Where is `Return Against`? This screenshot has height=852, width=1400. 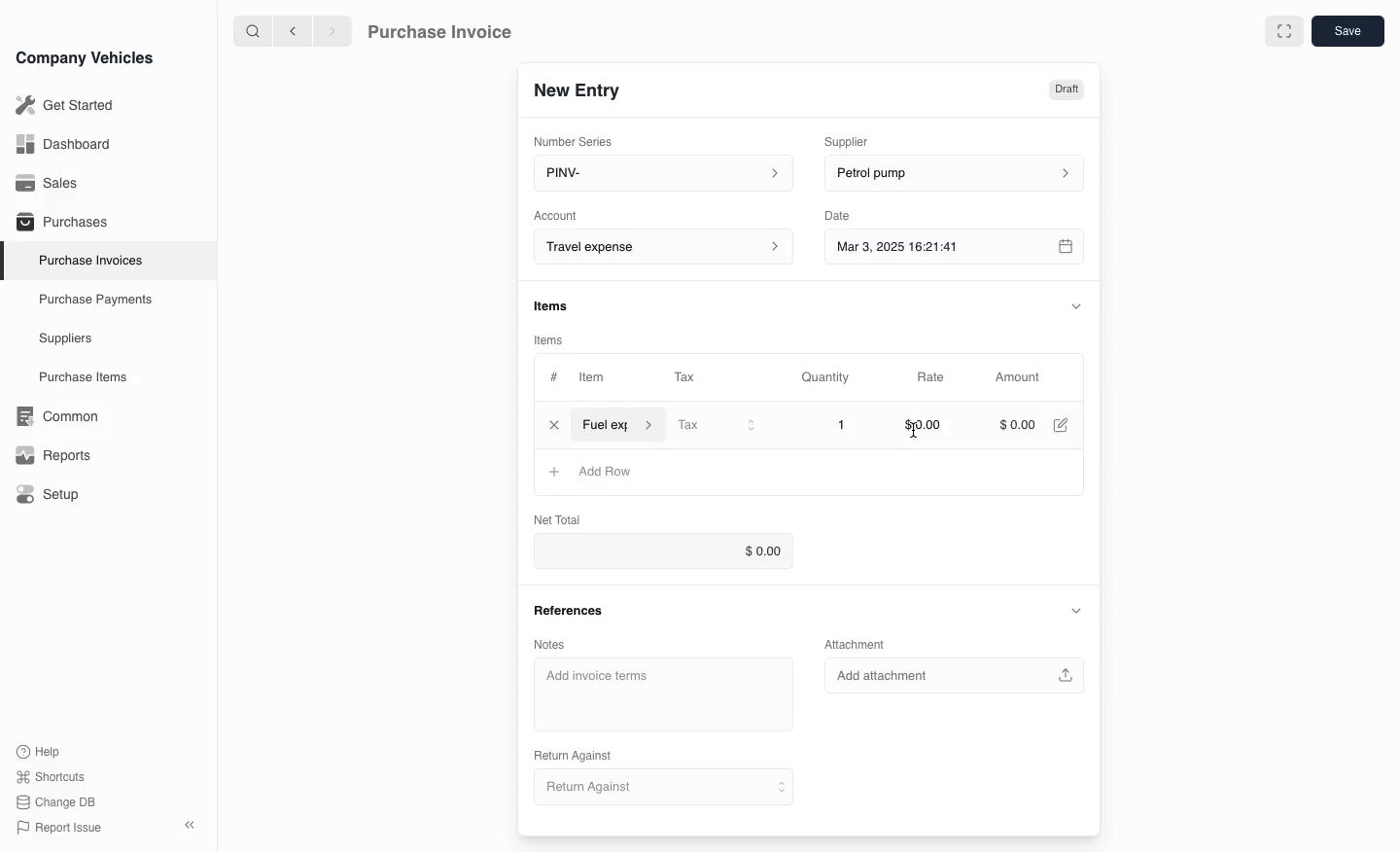
Return Against is located at coordinates (579, 754).